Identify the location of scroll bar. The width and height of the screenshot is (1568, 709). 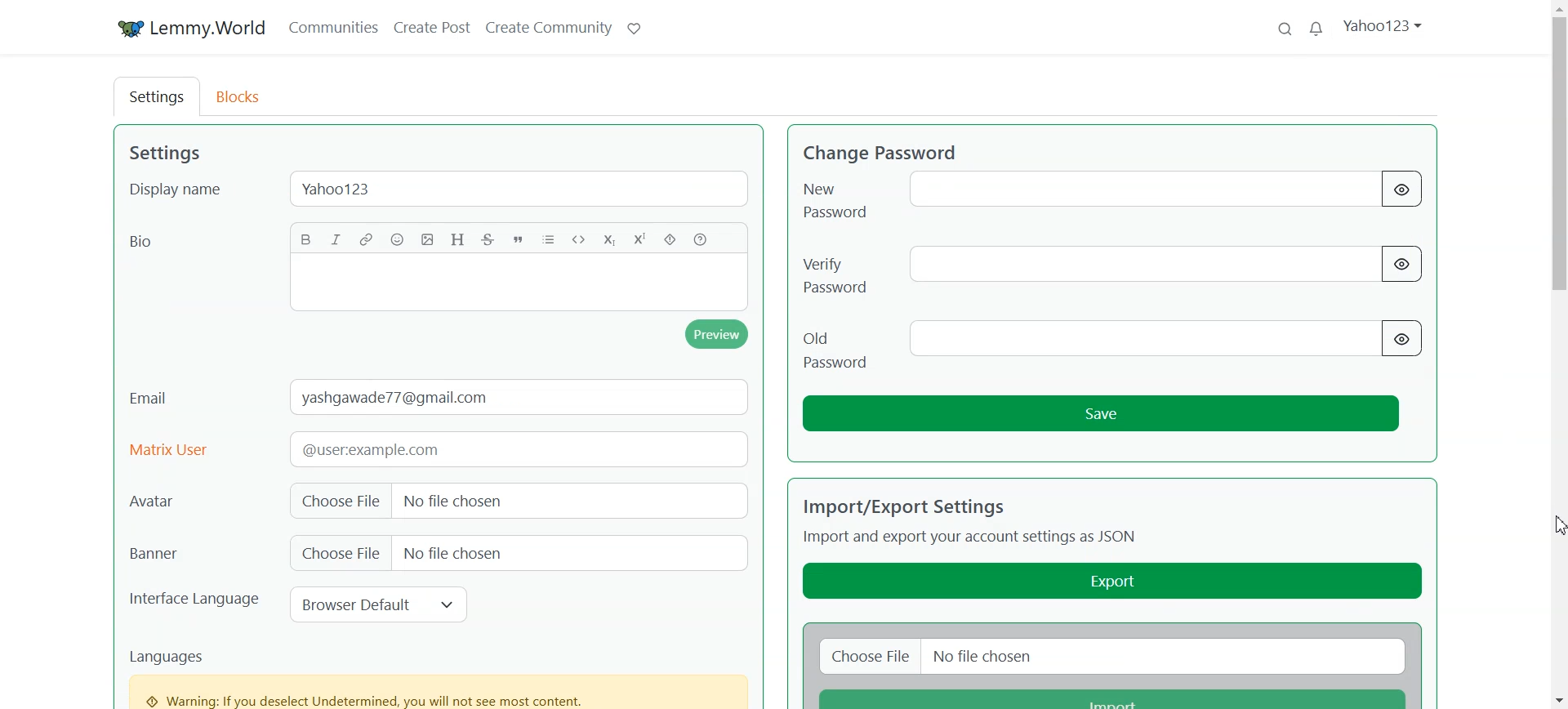
(1558, 354).